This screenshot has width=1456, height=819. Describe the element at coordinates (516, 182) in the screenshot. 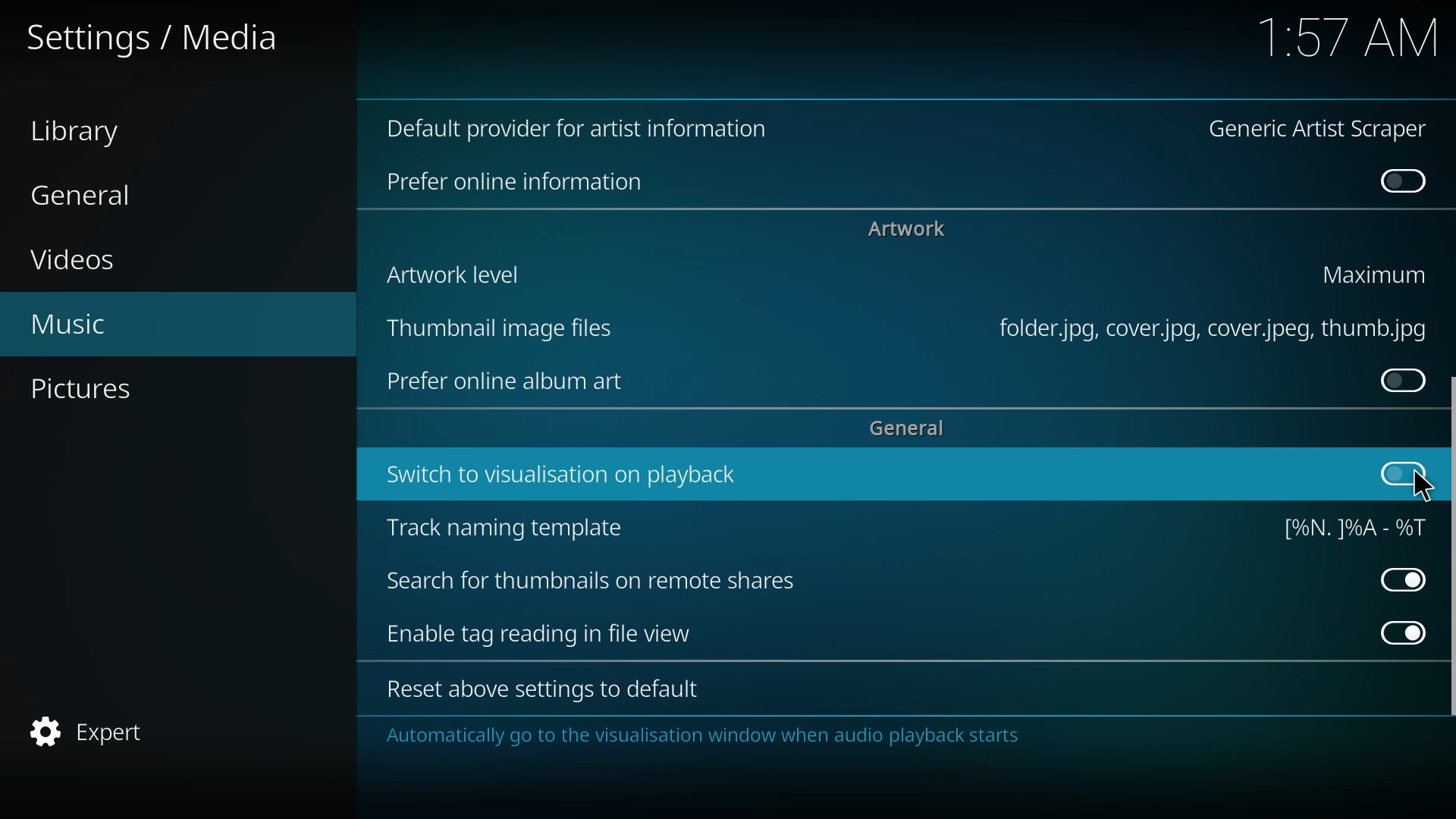

I see `online` at that location.